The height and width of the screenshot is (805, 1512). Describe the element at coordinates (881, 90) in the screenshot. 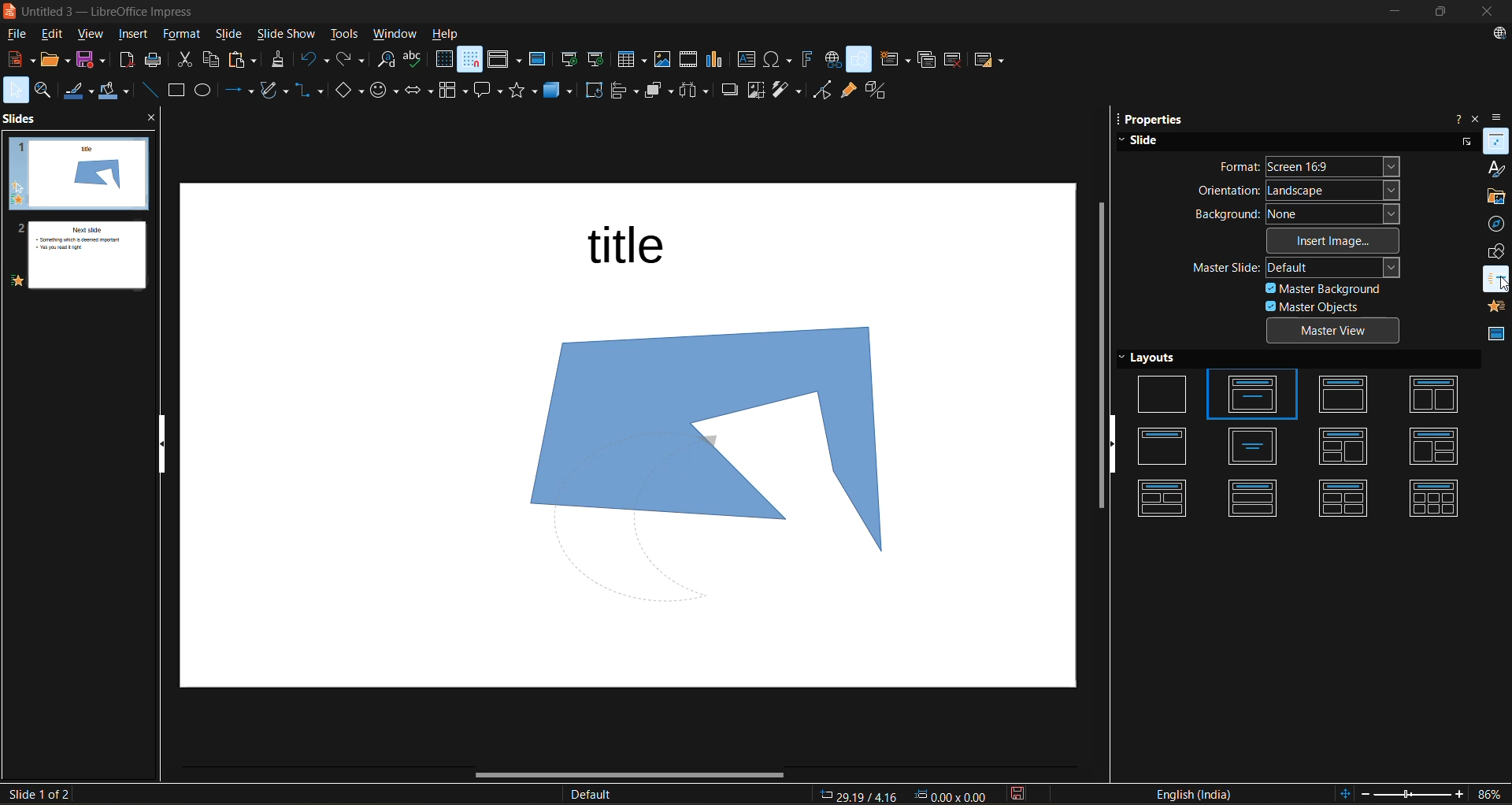

I see `toggle extrusion` at that location.